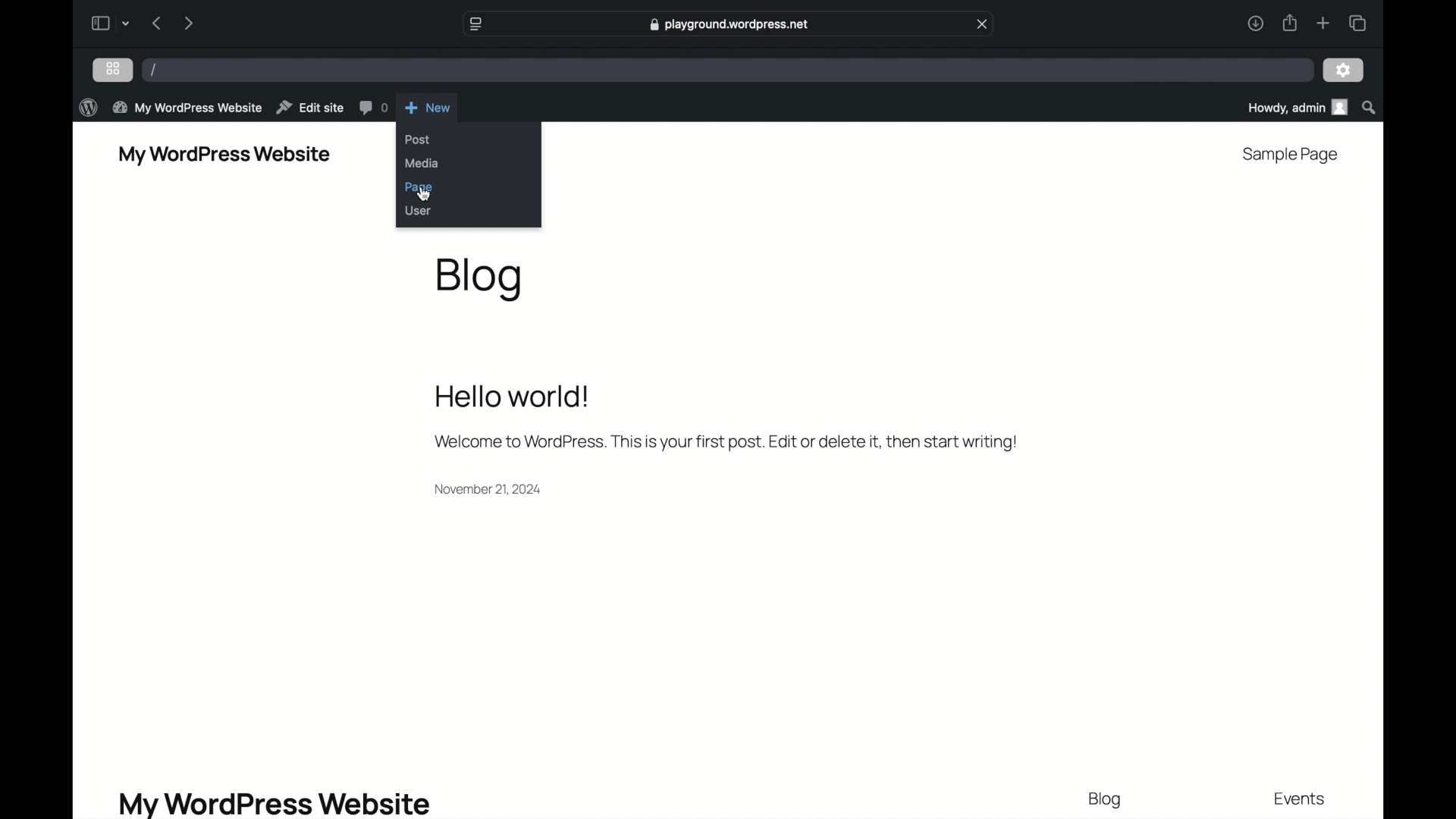  Describe the element at coordinates (725, 442) in the screenshot. I see `welcome message` at that location.